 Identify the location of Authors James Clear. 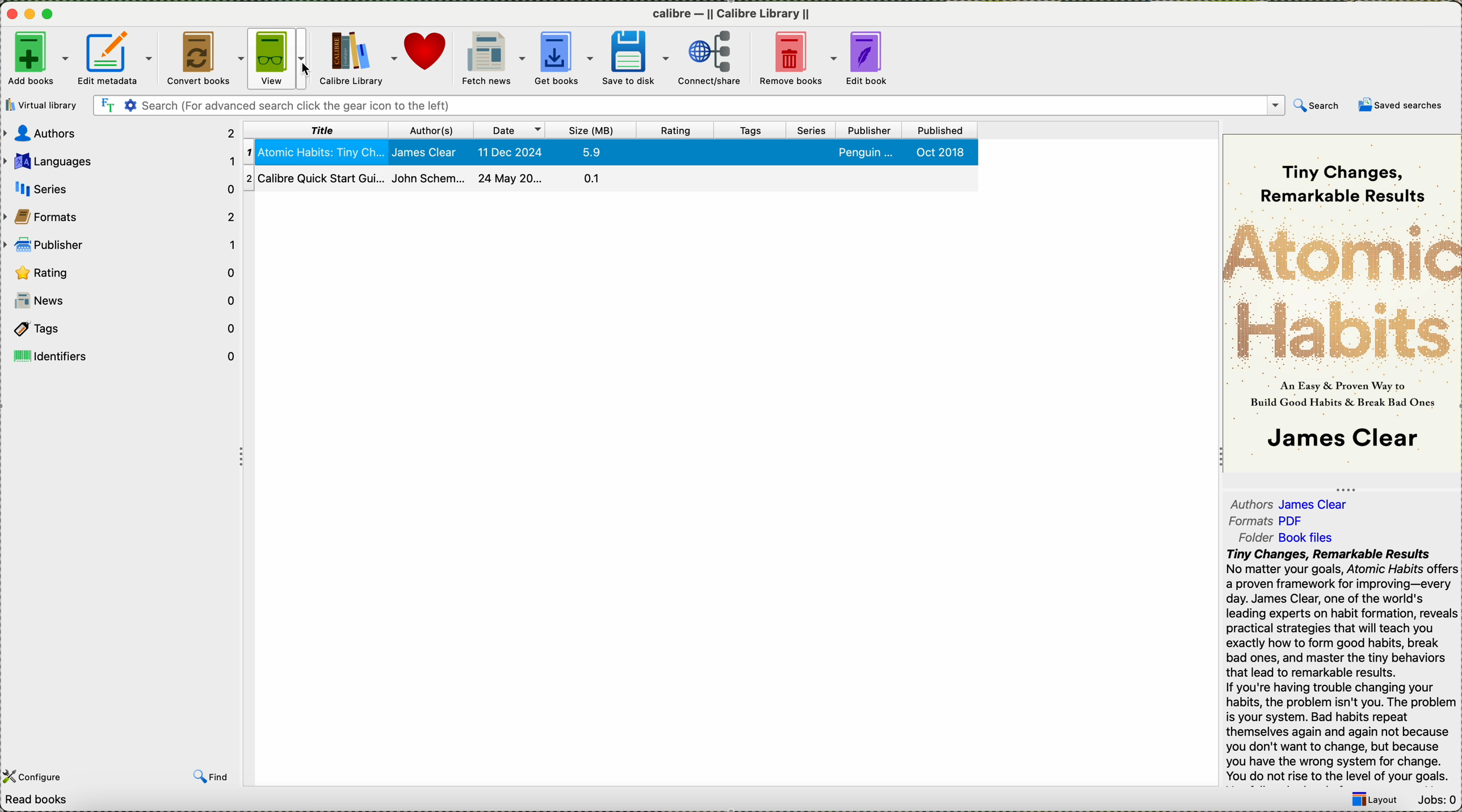
(1292, 502).